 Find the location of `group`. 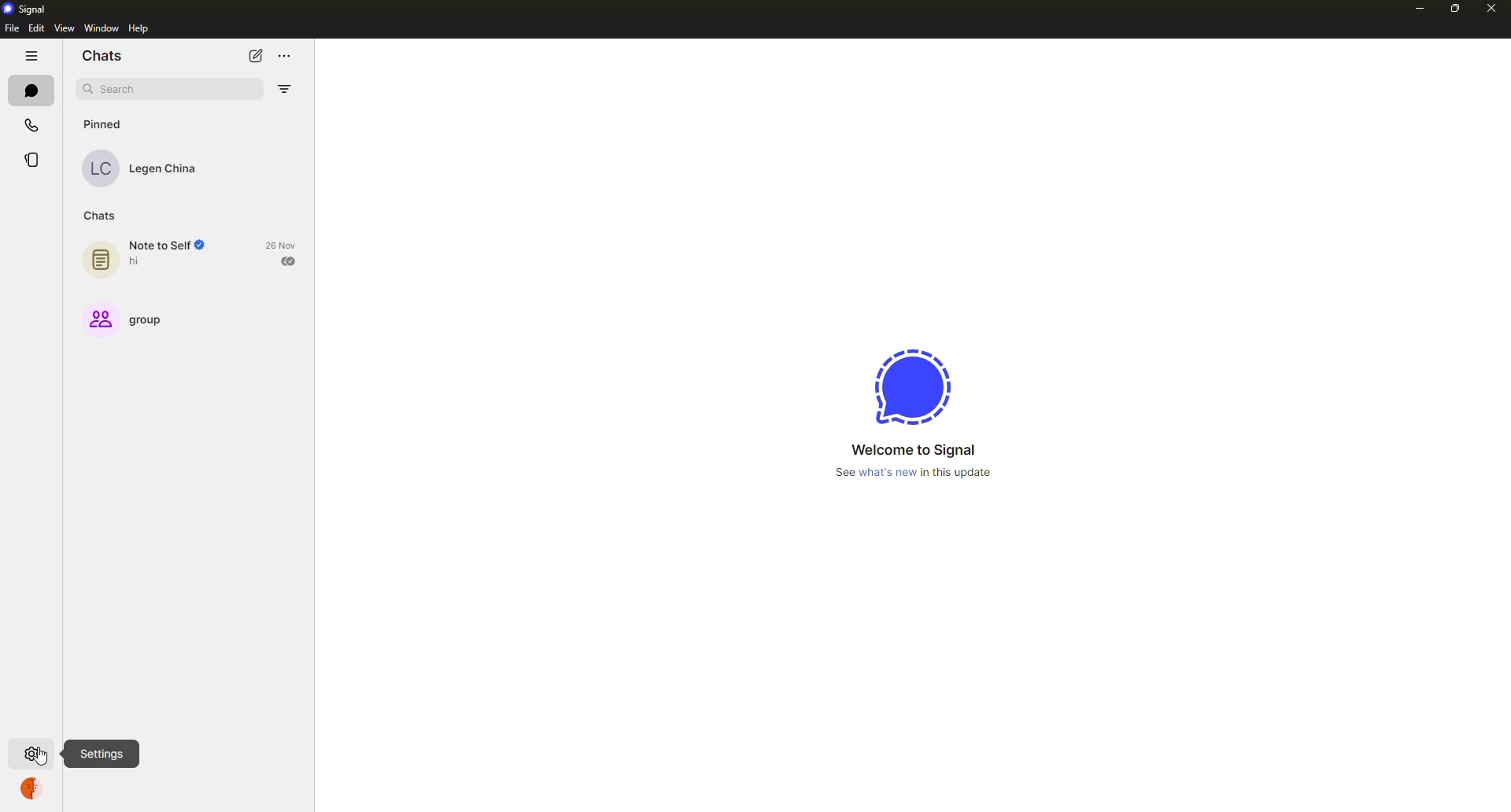

group is located at coordinates (125, 318).